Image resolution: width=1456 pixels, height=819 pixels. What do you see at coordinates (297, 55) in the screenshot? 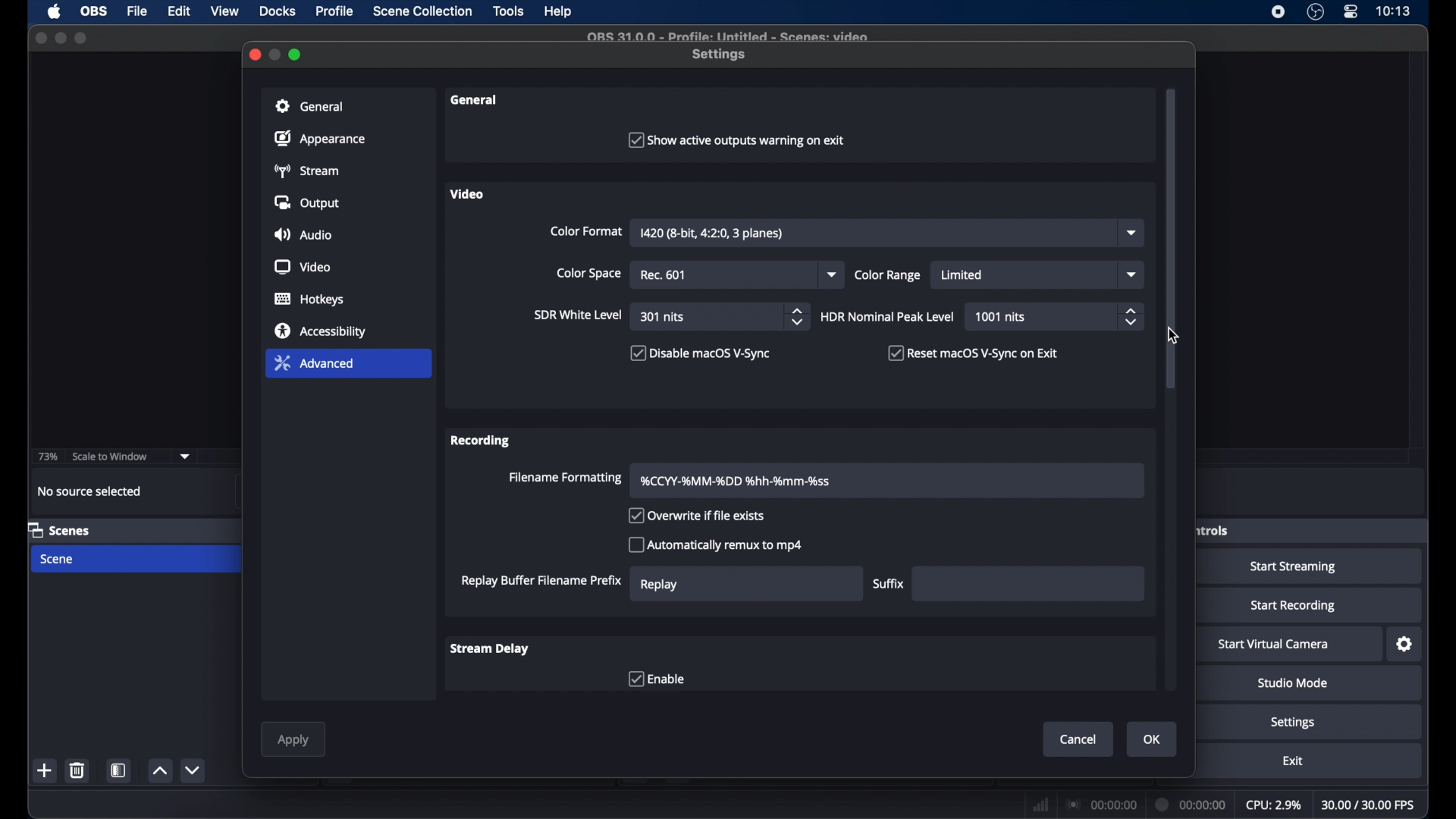
I see `maximize` at bounding box center [297, 55].